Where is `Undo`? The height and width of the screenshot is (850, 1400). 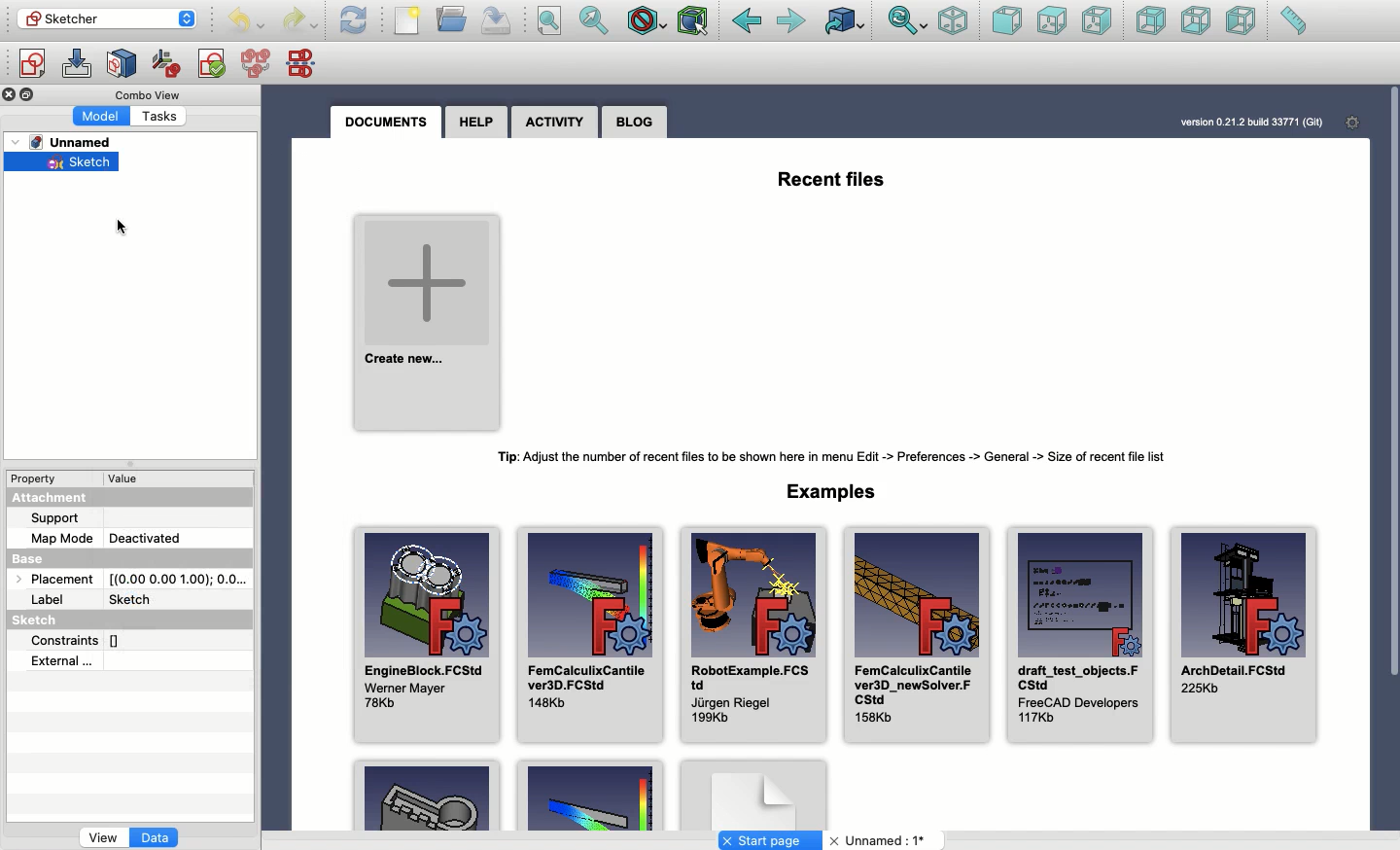 Undo is located at coordinates (246, 22).